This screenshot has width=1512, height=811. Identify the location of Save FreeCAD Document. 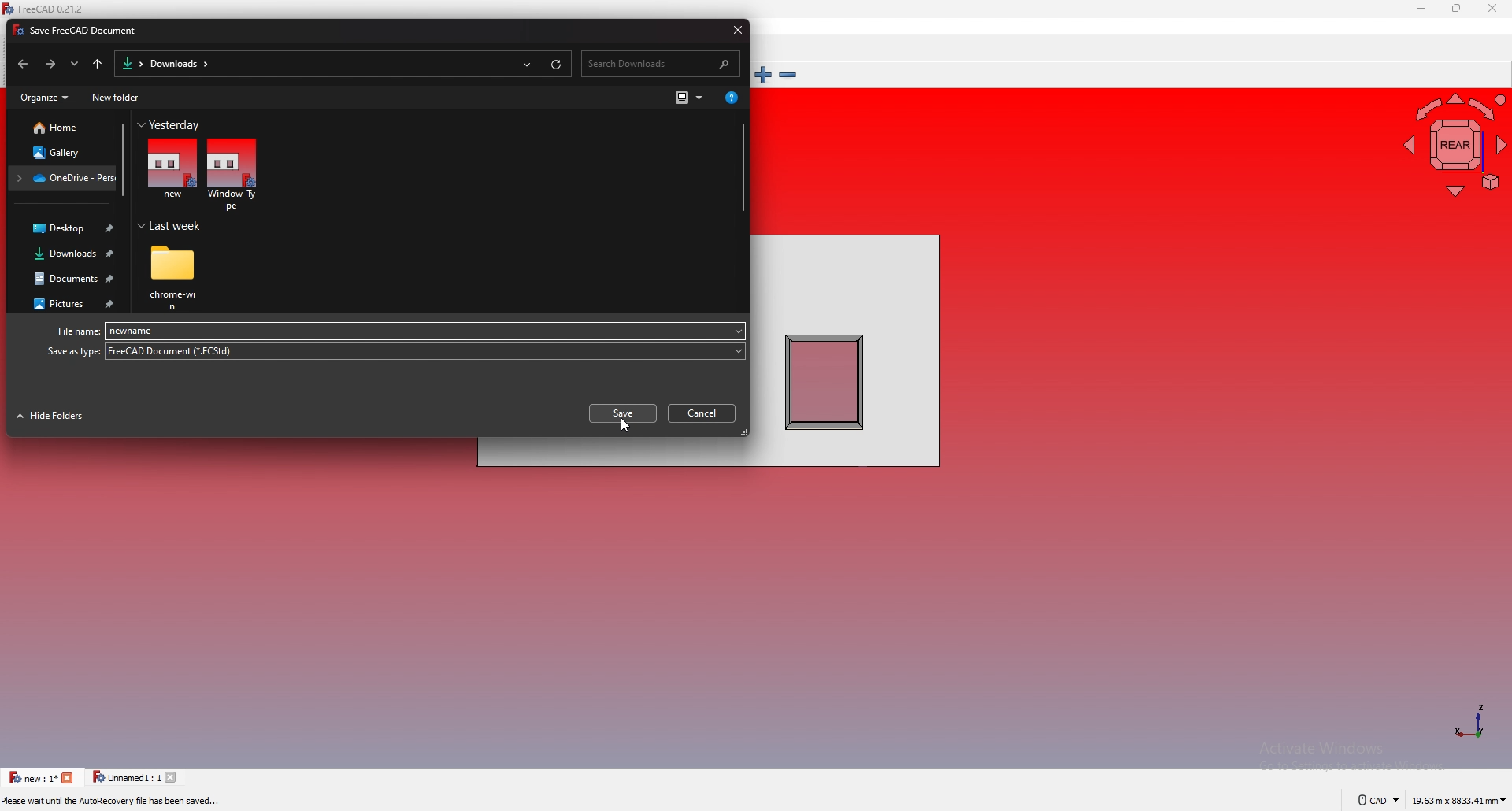
(84, 30).